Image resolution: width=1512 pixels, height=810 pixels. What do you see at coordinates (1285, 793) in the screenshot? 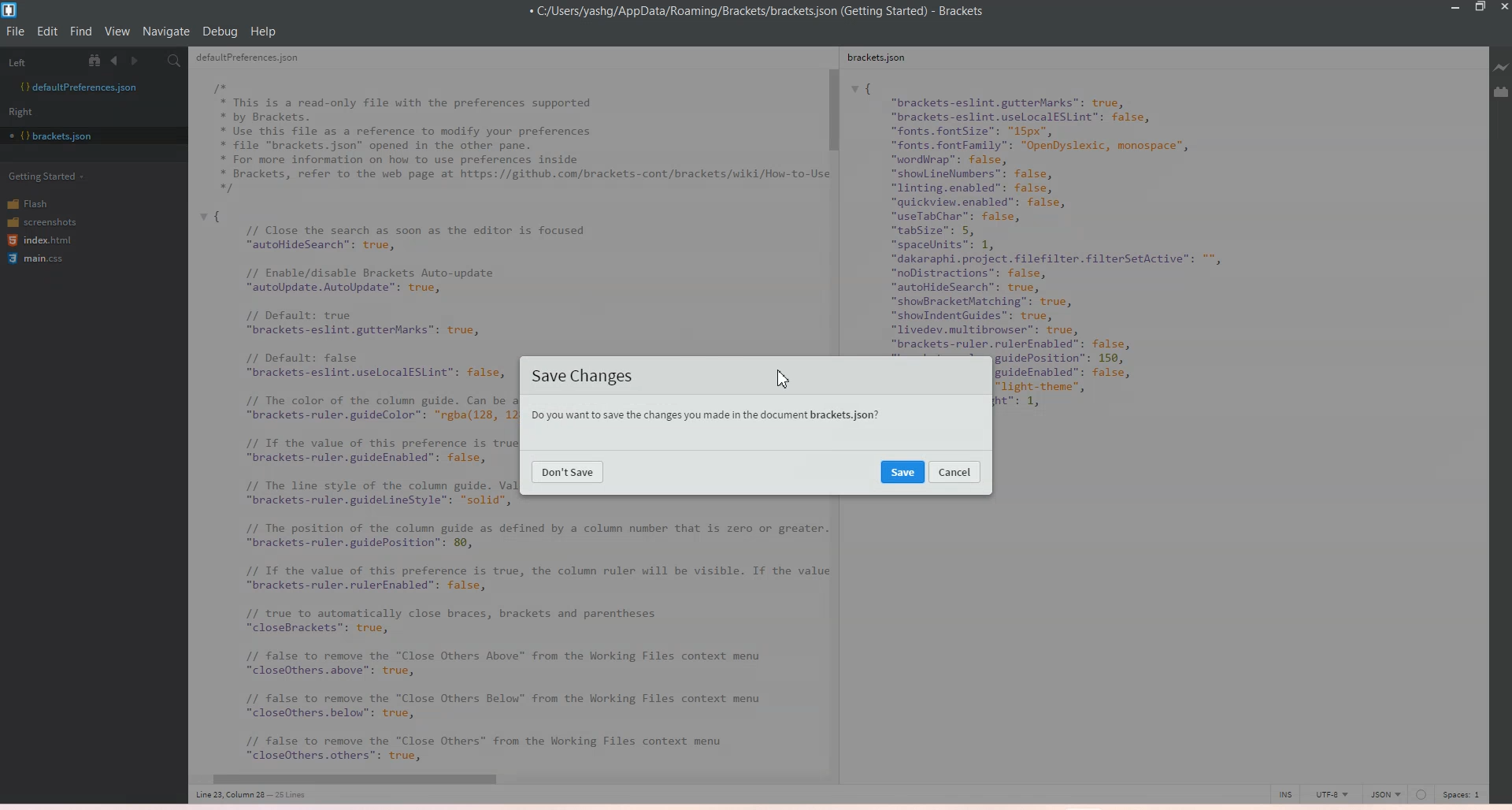
I see `INS` at bounding box center [1285, 793].